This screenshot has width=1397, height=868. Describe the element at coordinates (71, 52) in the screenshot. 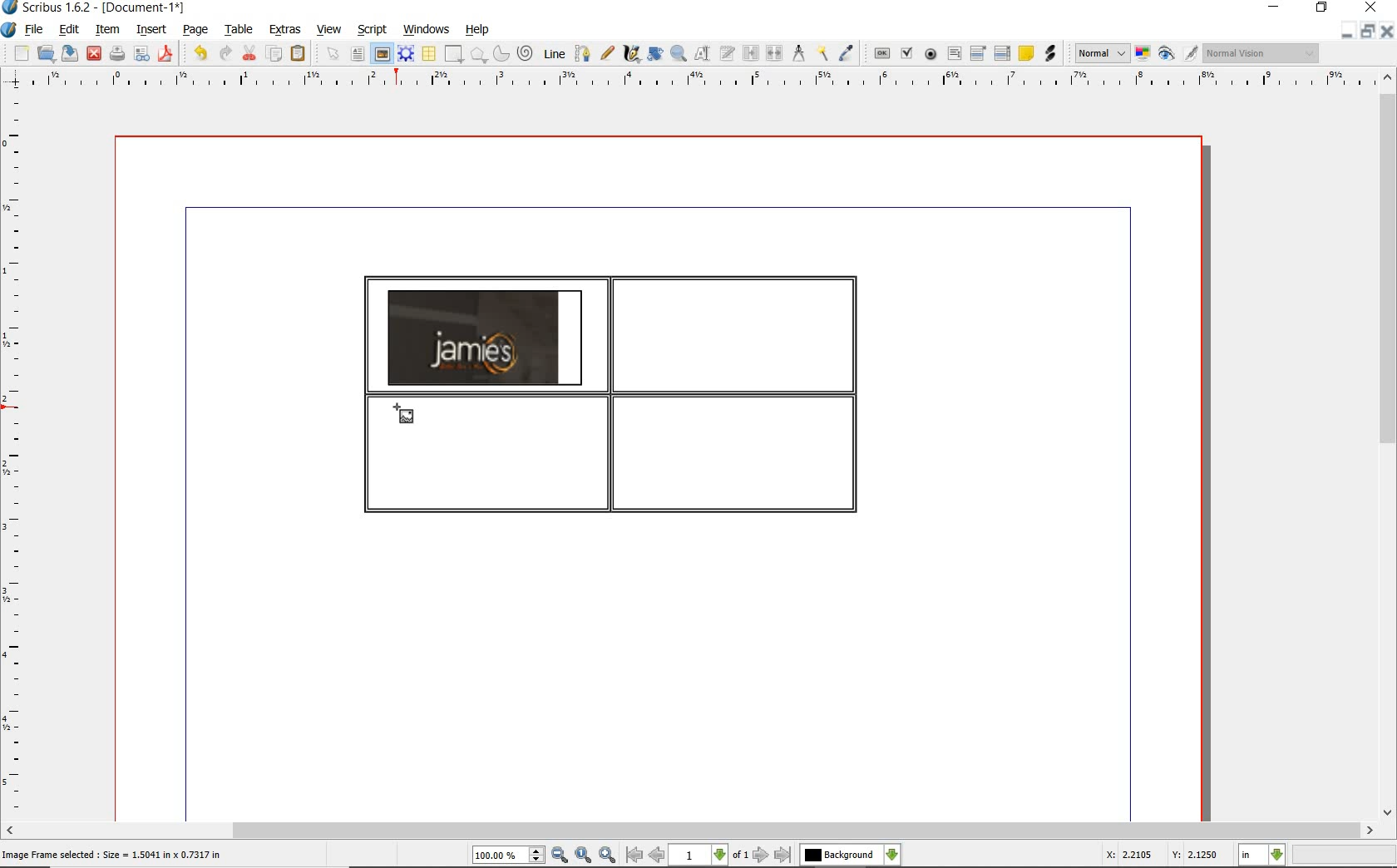

I see `save` at that location.